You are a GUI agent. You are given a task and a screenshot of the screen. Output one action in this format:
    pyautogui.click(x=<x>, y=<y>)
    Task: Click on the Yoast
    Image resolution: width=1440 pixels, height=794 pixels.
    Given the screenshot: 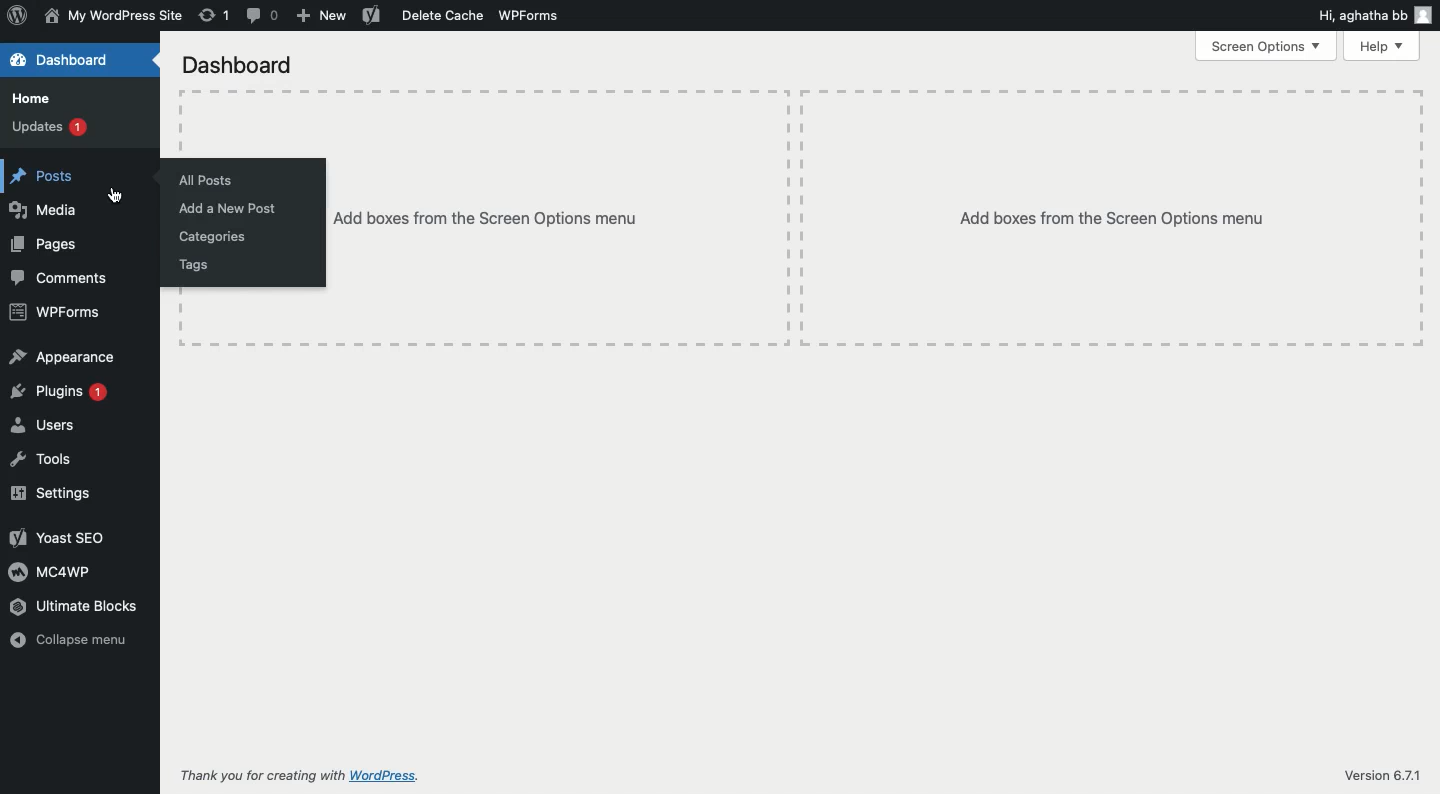 What is the action you would take?
    pyautogui.click(x=373, y=15)
    